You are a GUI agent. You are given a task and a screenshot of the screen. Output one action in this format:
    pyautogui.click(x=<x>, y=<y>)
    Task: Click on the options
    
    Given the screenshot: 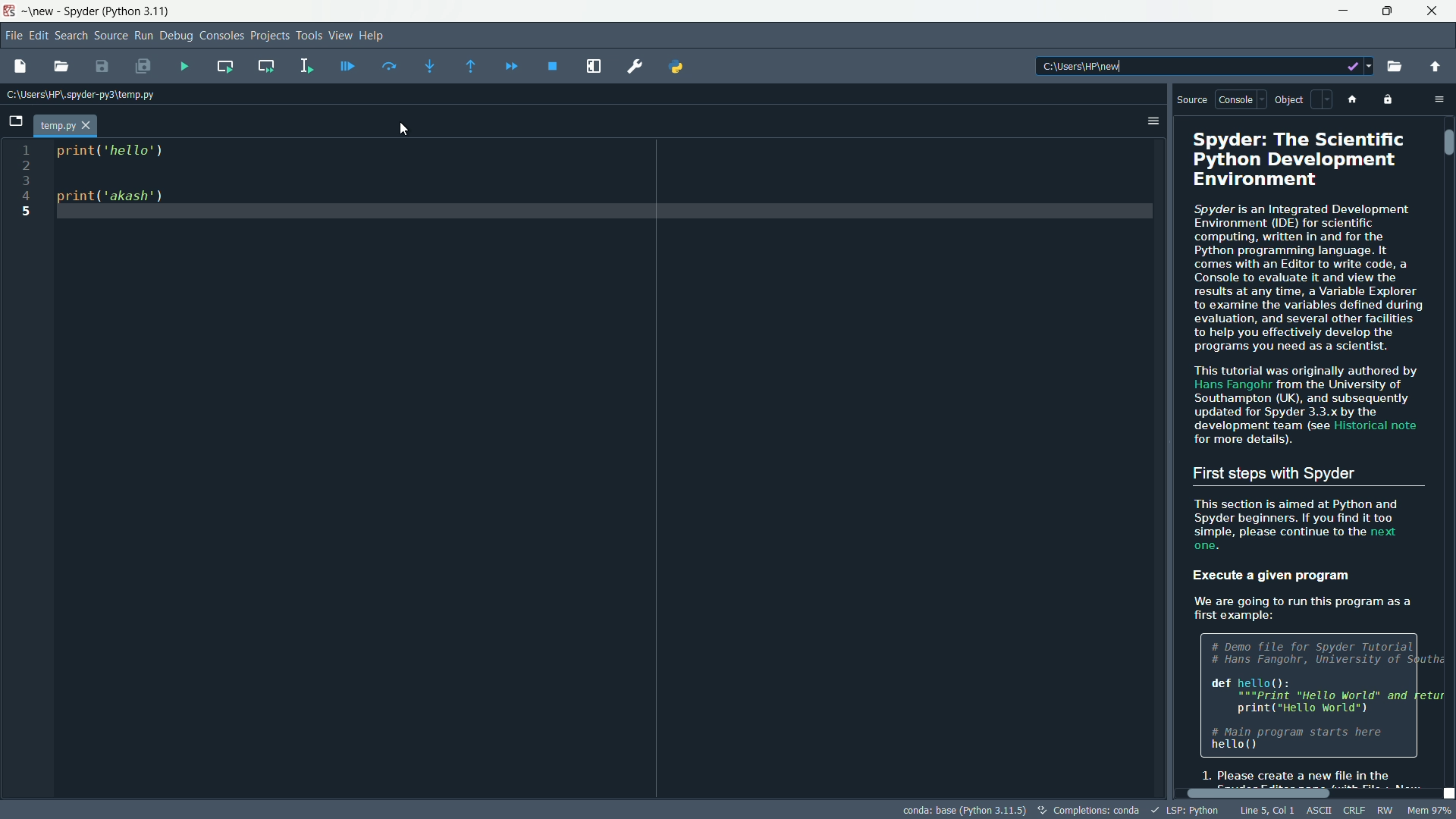 What is the action you would take?
    pyautogui.click(x=1439, y=99)
    